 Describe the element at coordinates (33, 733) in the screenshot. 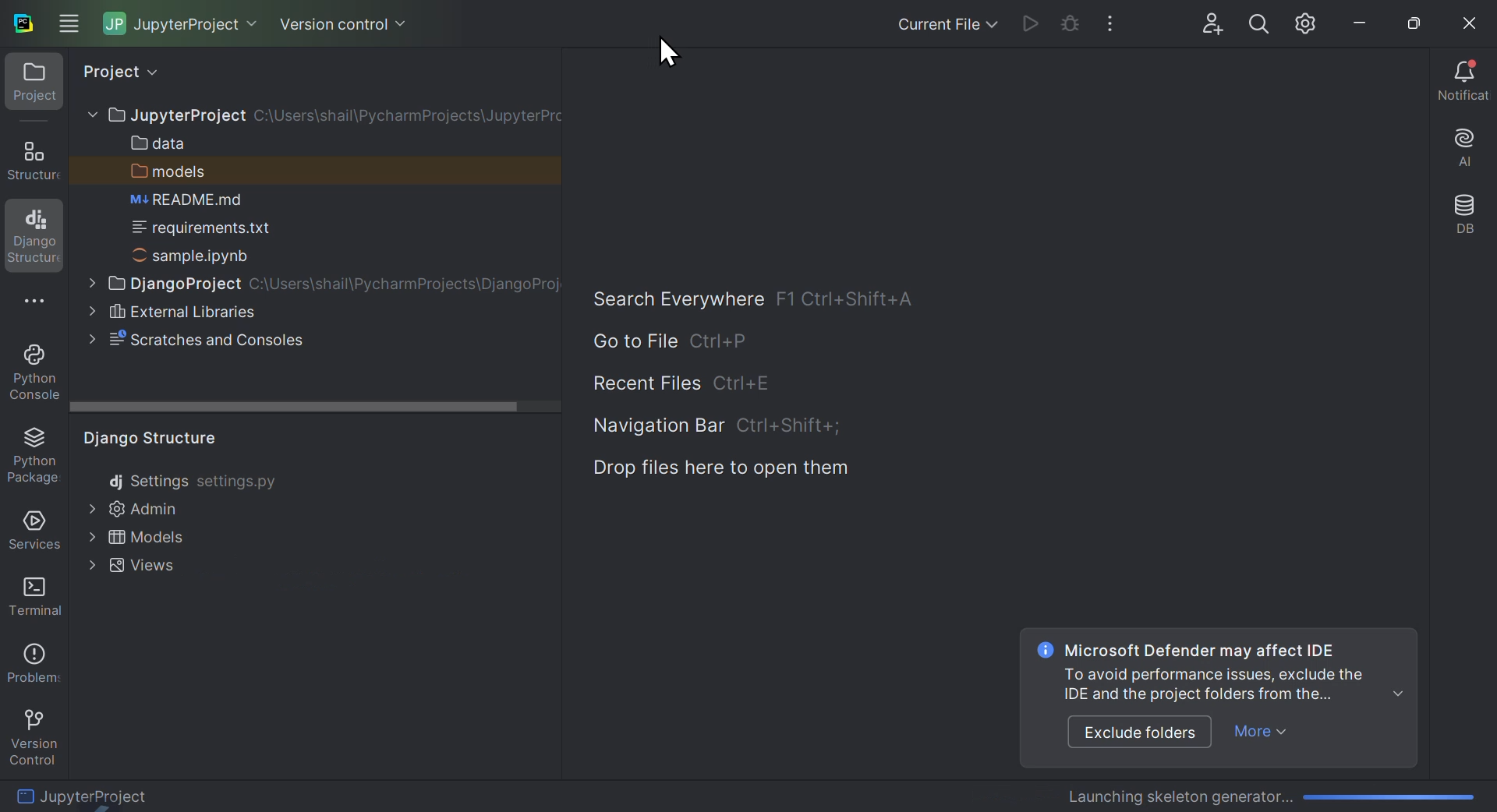

I see `version control` at that location.